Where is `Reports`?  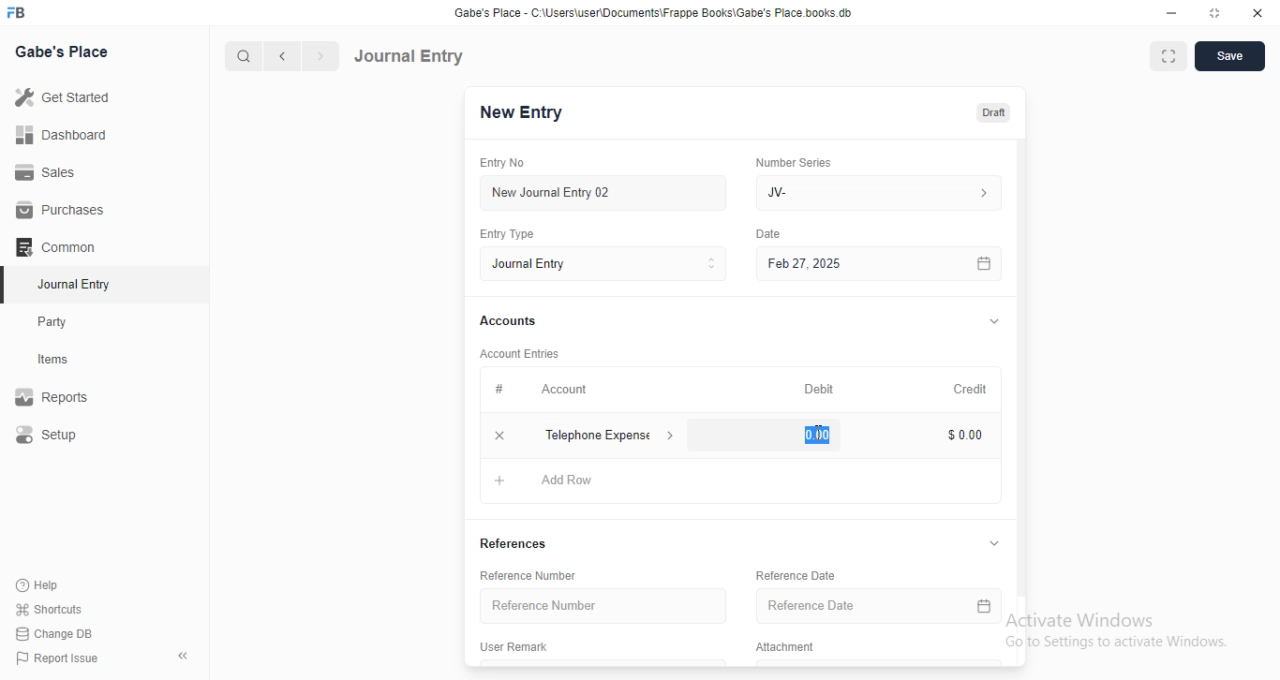
Reports is located at coordinates (53, 394).